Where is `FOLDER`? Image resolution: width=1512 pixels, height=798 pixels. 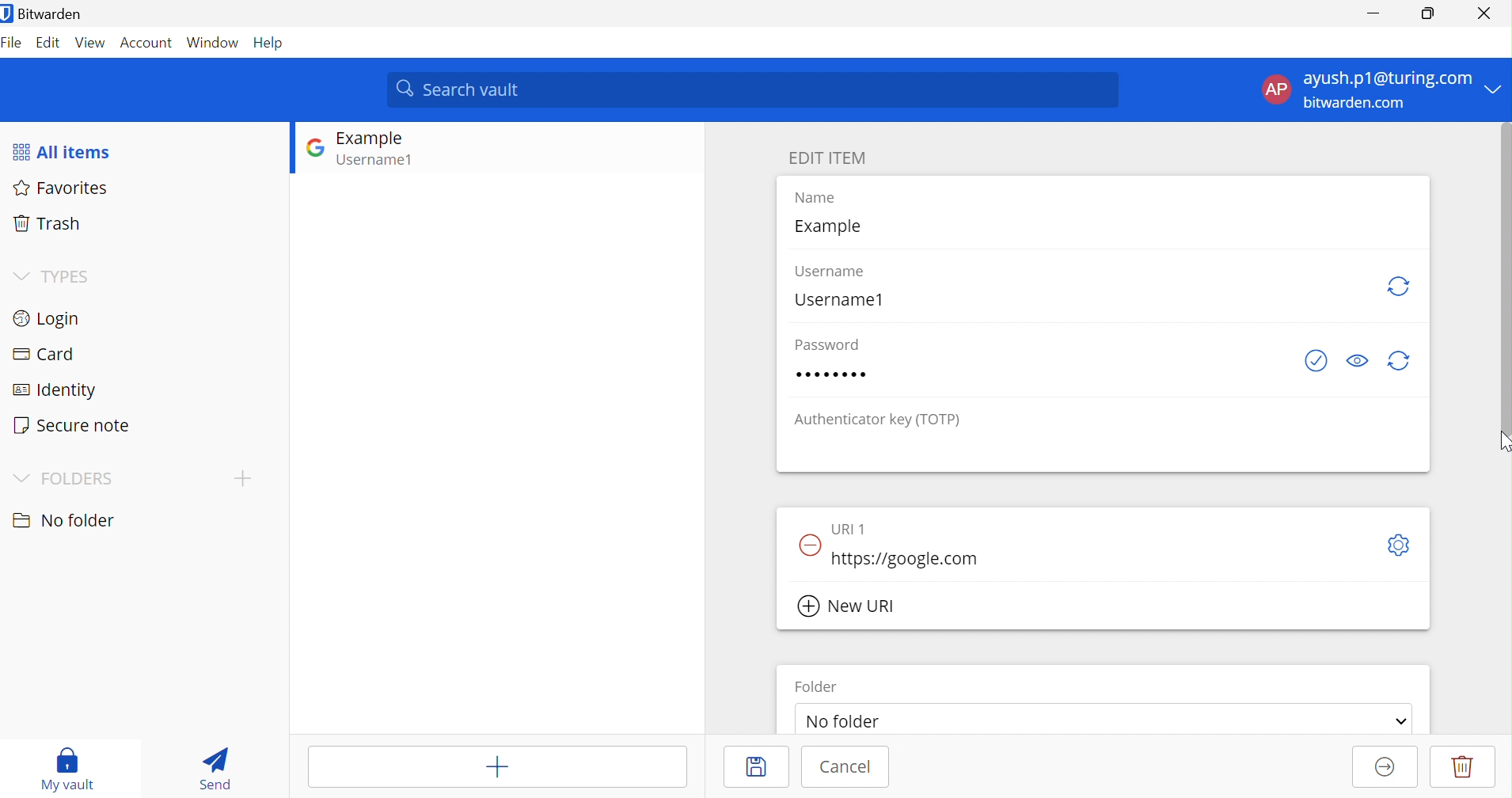 FOLDER is located at coordinates (78, 477).